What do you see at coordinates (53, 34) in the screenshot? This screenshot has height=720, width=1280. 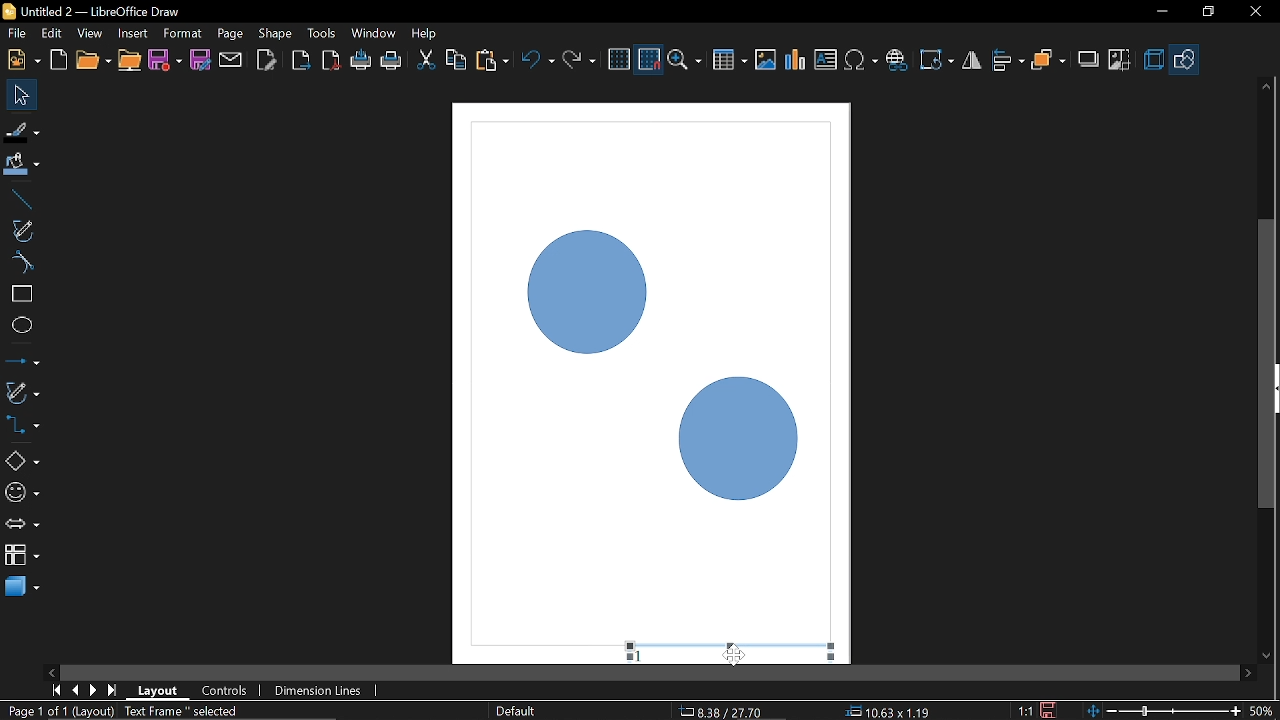 I see `Edit` at bounding box center [53, 34].